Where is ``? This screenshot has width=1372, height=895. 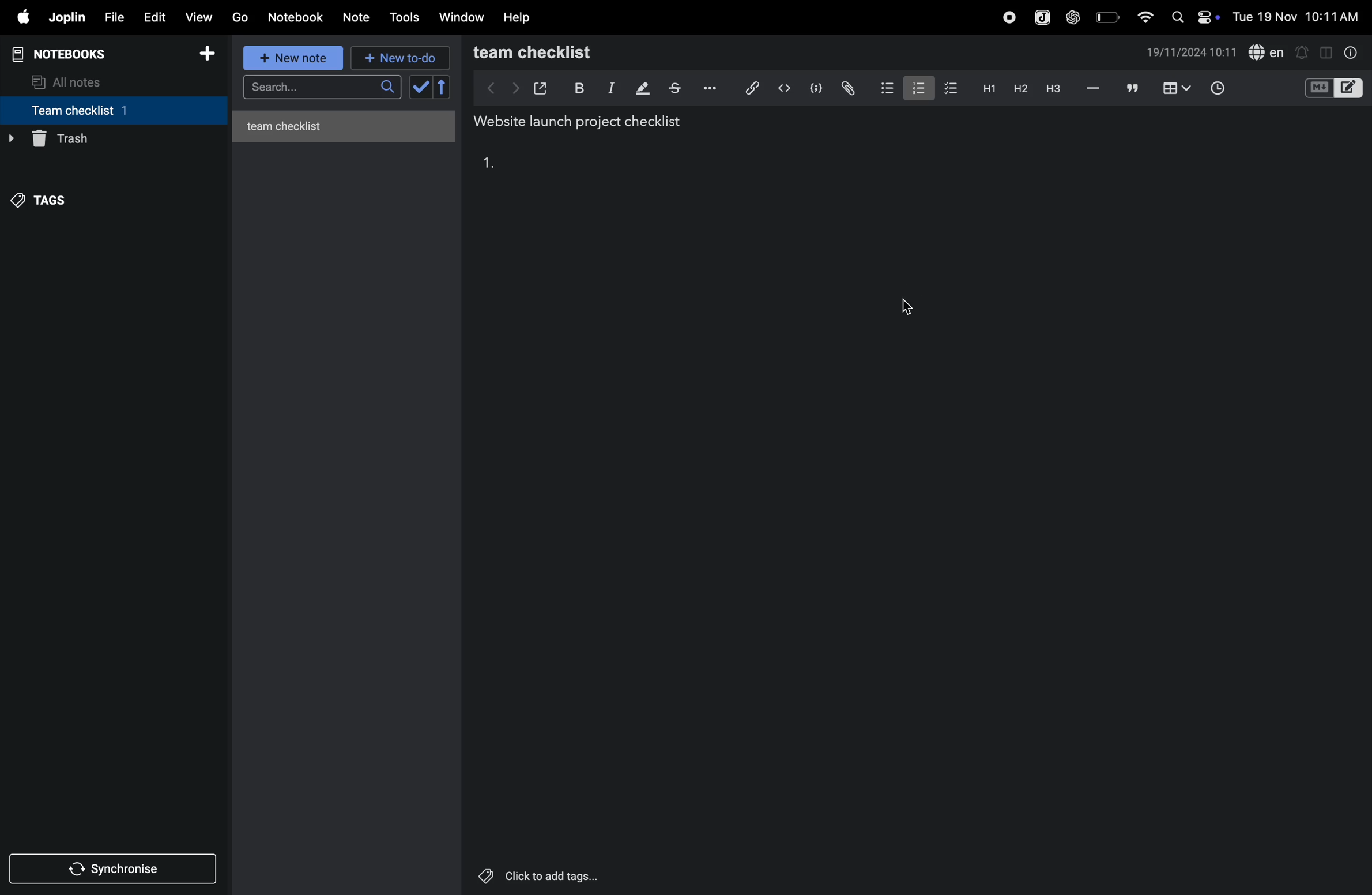
 is located at coordinates (553, 876).